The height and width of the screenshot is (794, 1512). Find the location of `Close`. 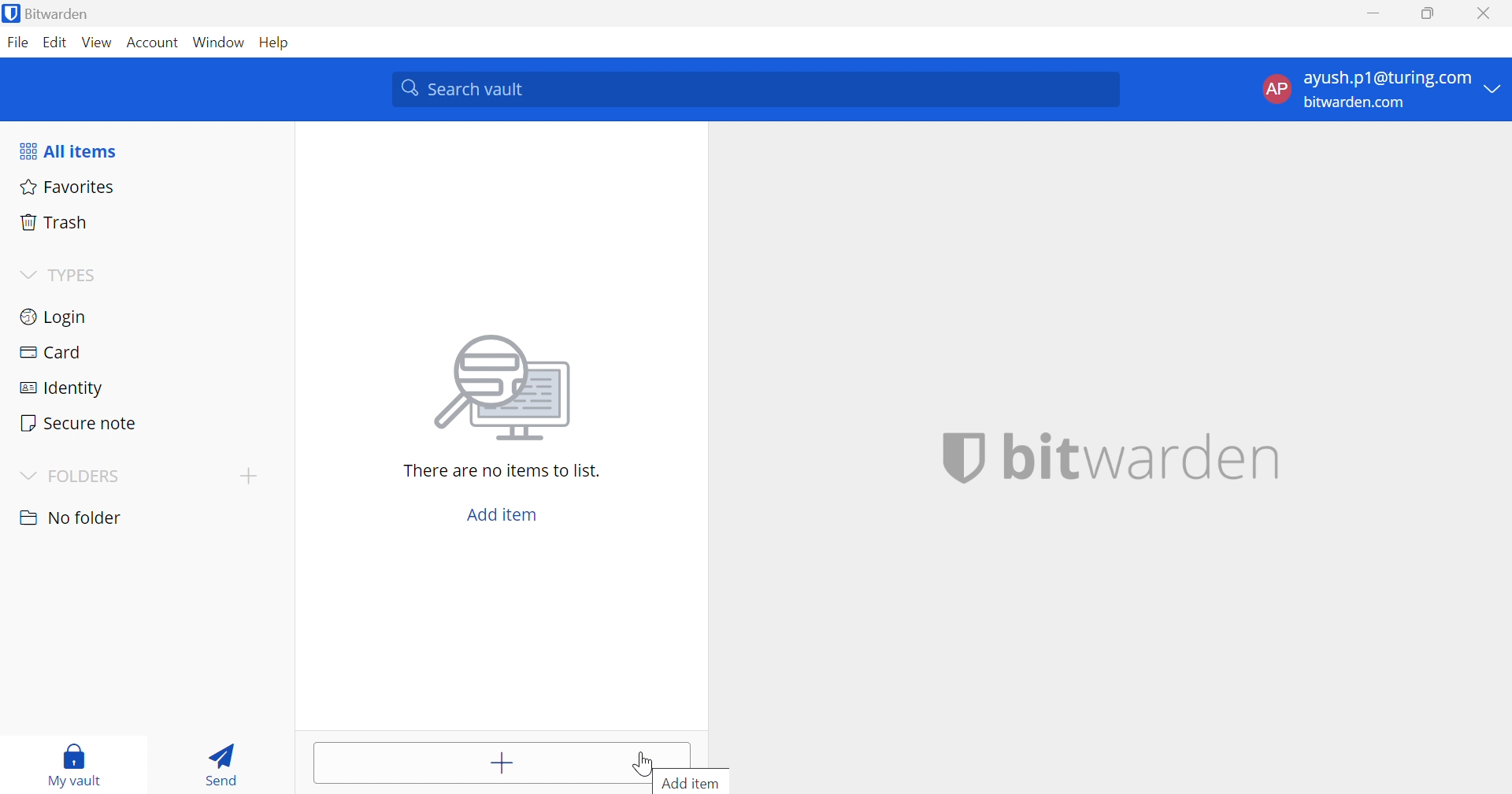

Close is located at coordinates (1484, 13).